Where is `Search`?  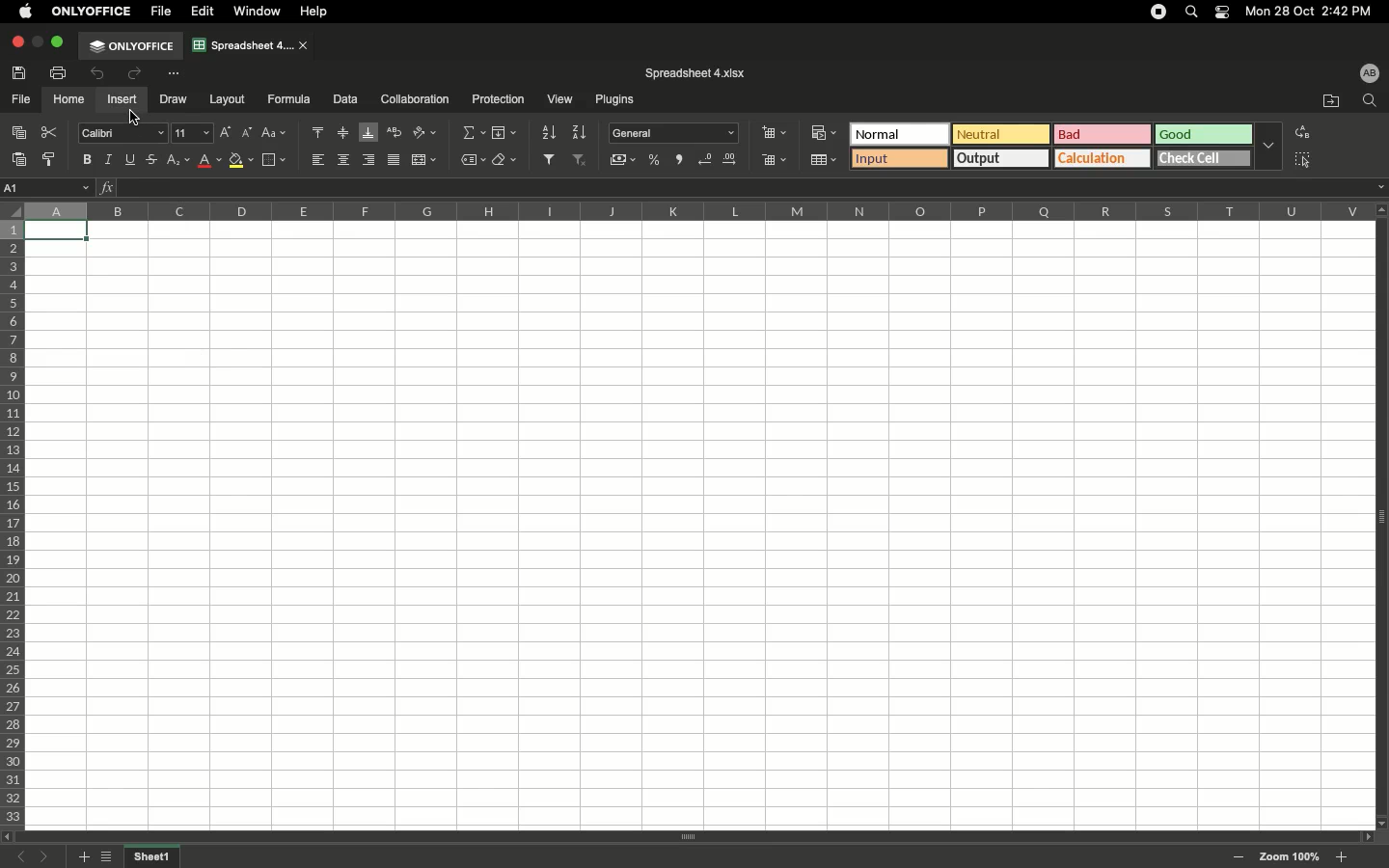 Search is located at coordinates (1194, 11).